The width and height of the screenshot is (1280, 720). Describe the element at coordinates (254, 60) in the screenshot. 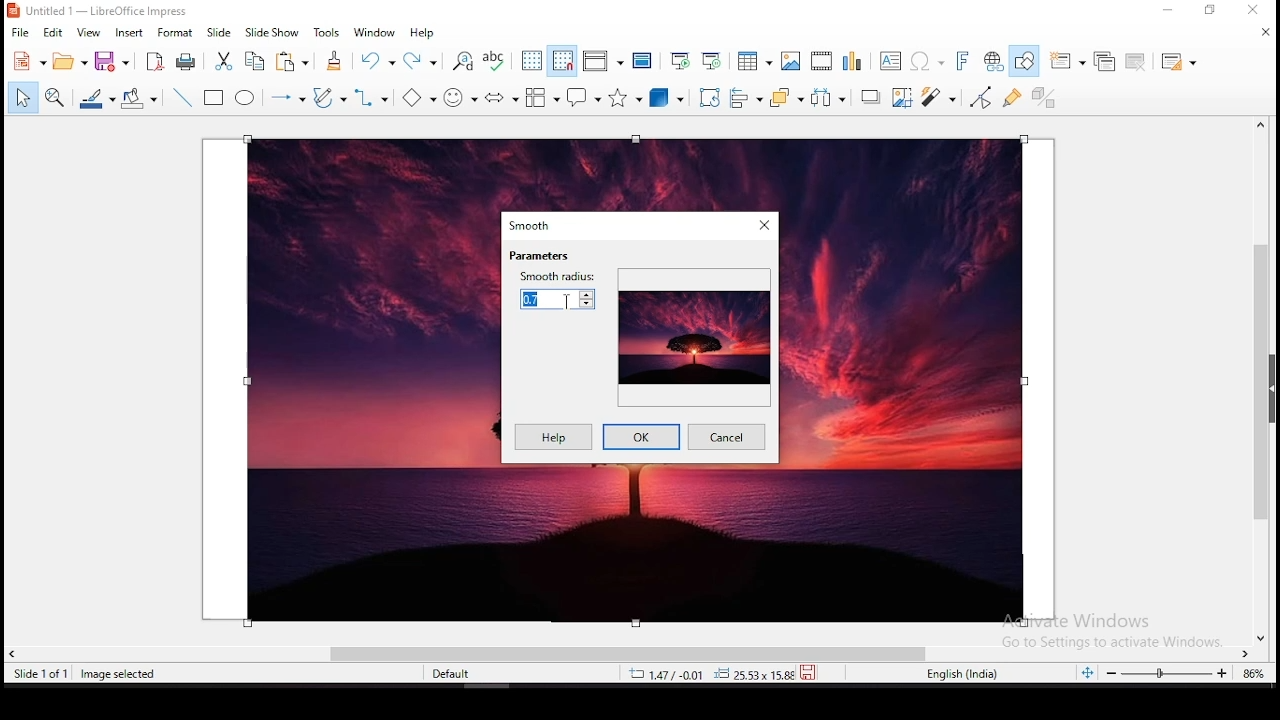

I see `copy` at that location.